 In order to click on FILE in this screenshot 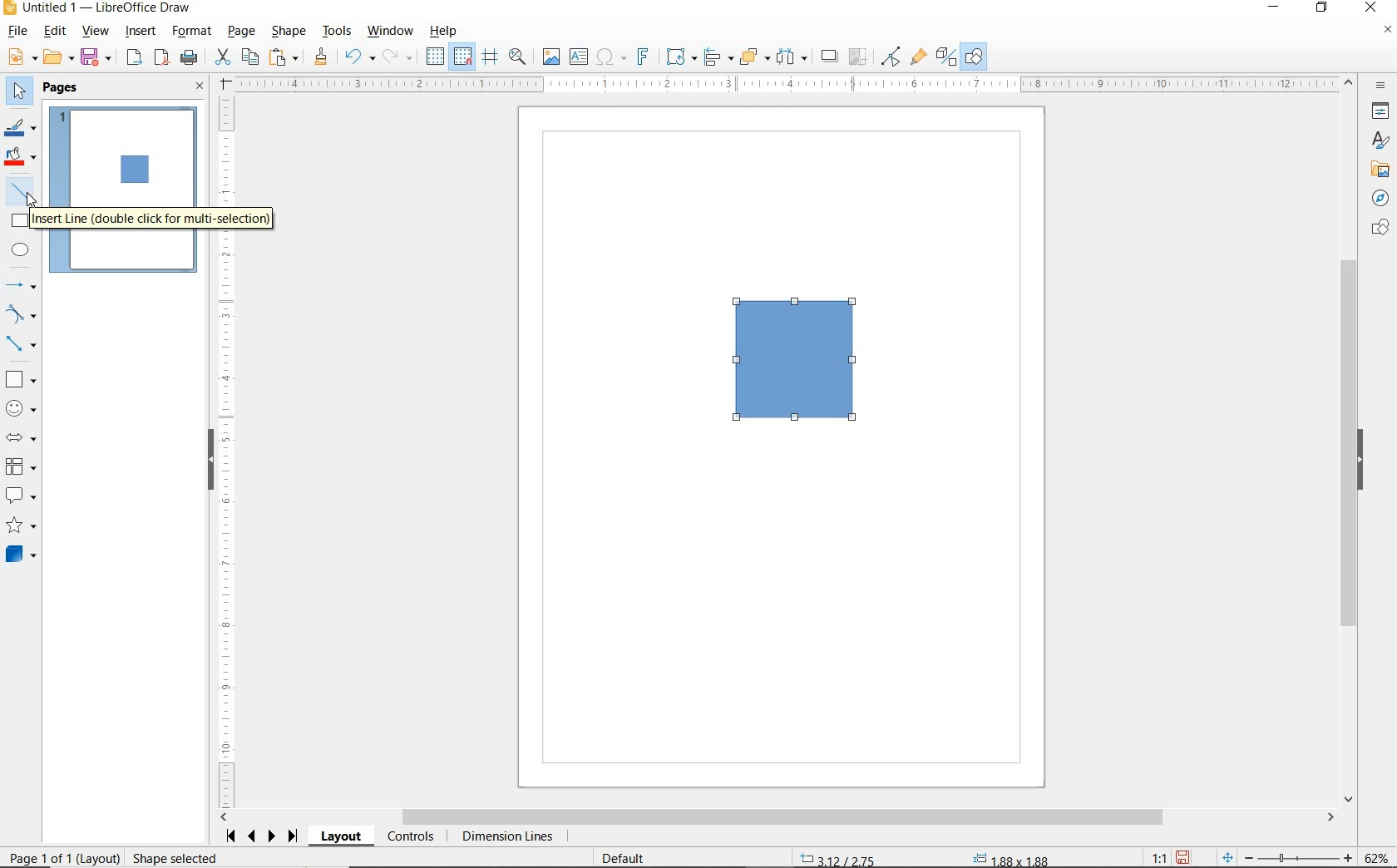, I will do `click(16, 32)`.